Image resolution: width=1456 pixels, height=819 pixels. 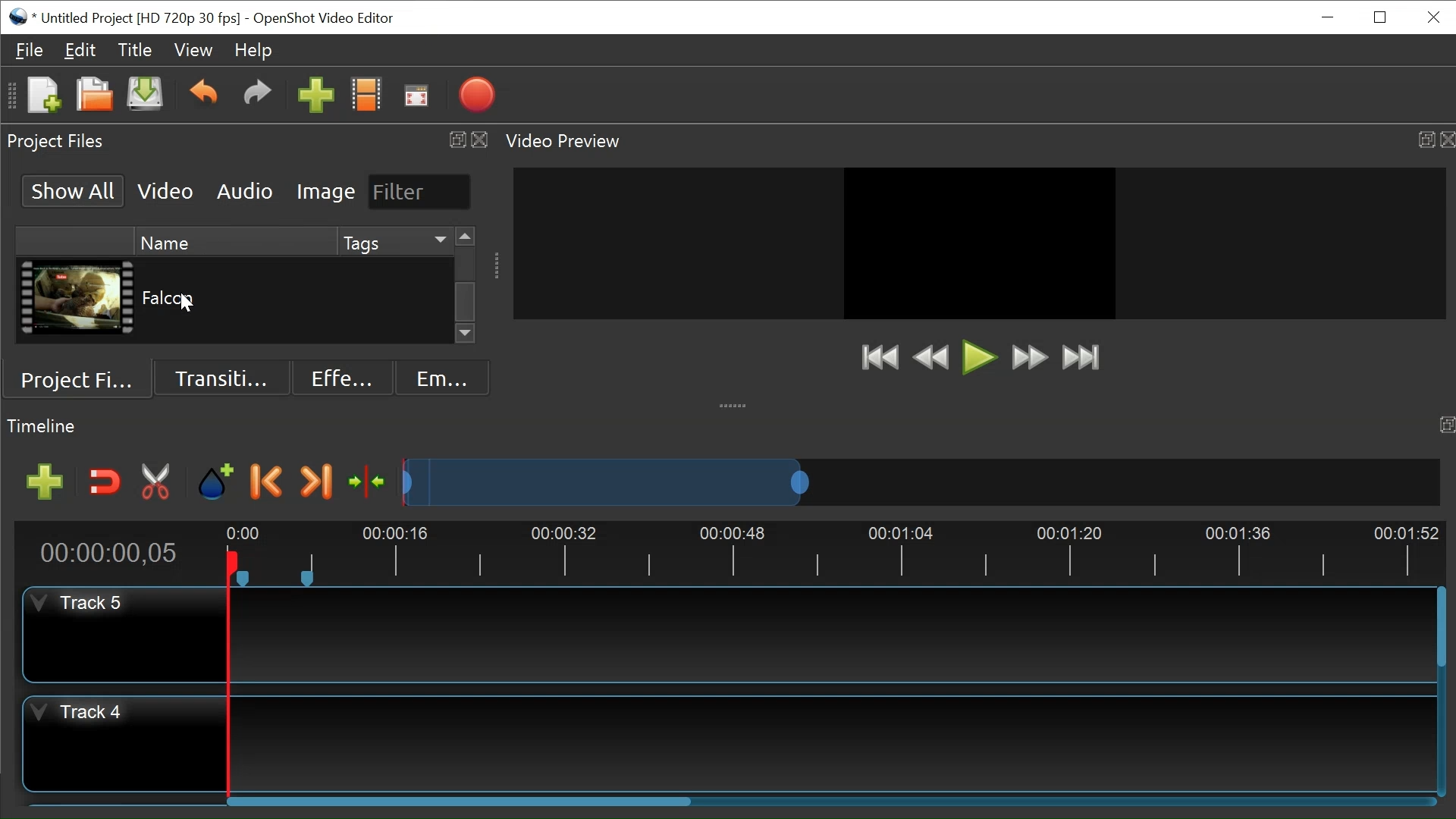 I want to click on Snap, so click(x=102, y=483).